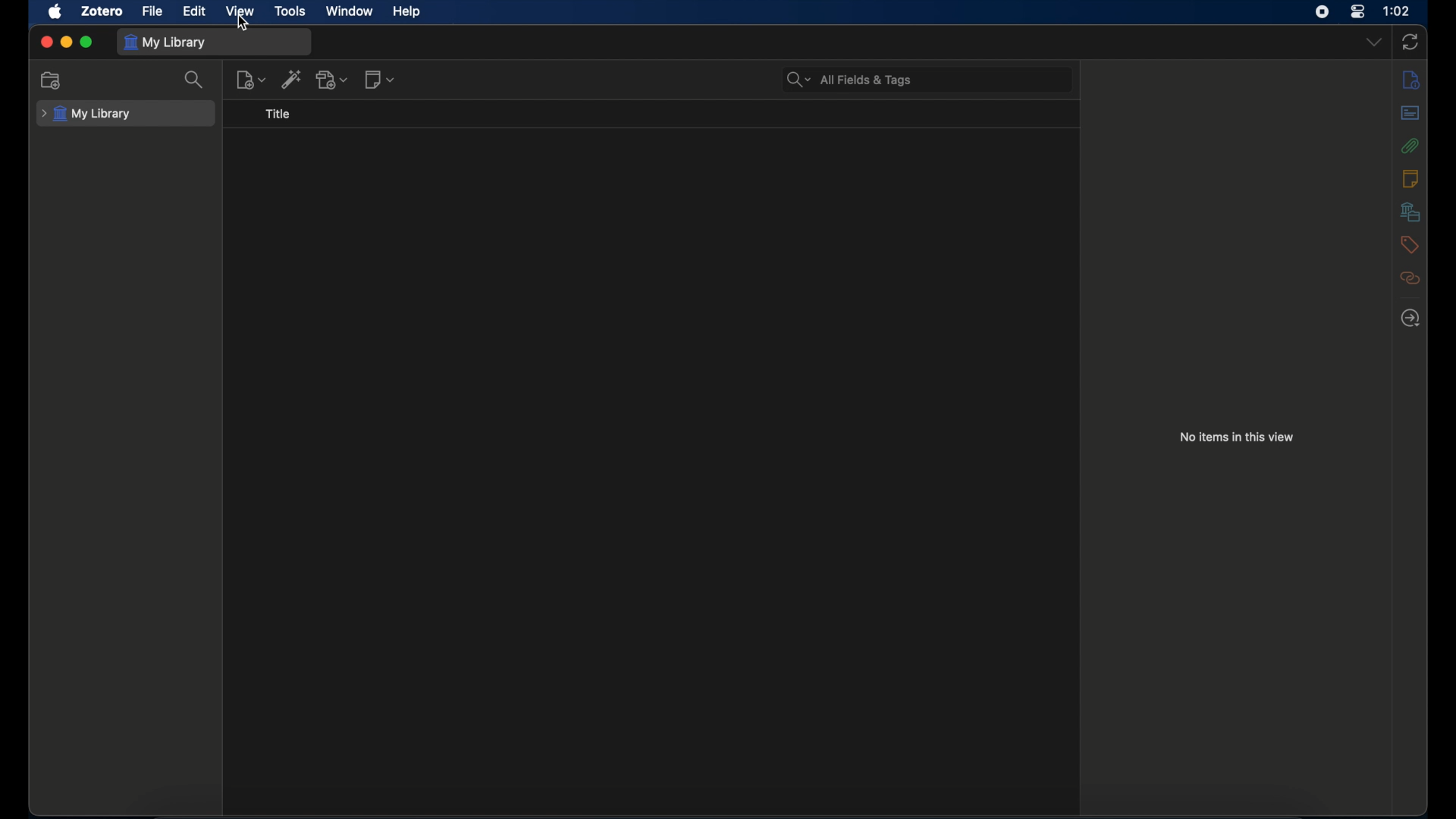  I want to click on no items in this view, so click(1237, 437).